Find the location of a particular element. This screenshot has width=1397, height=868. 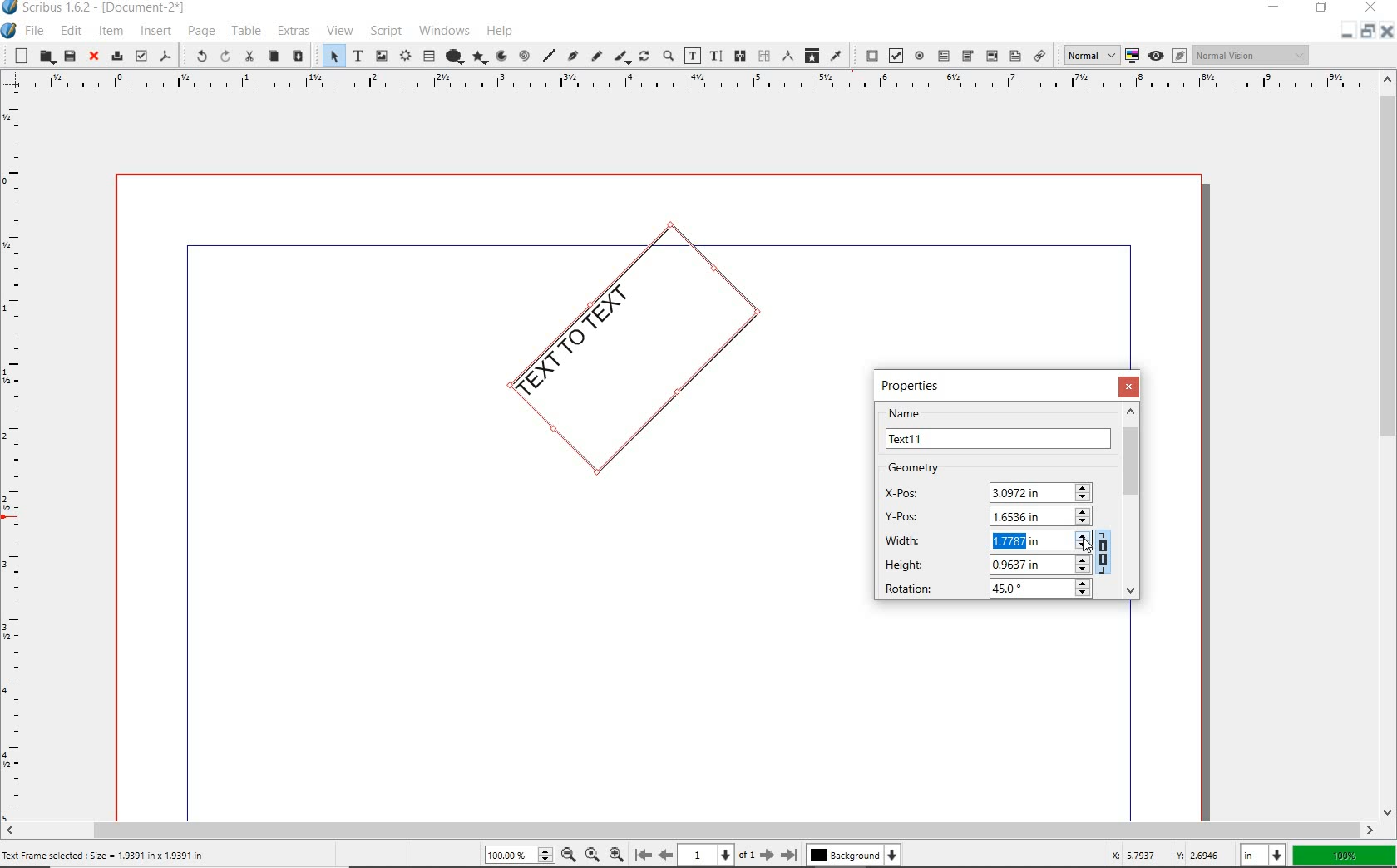

pdf combo box is located at coordinates (967, 55).